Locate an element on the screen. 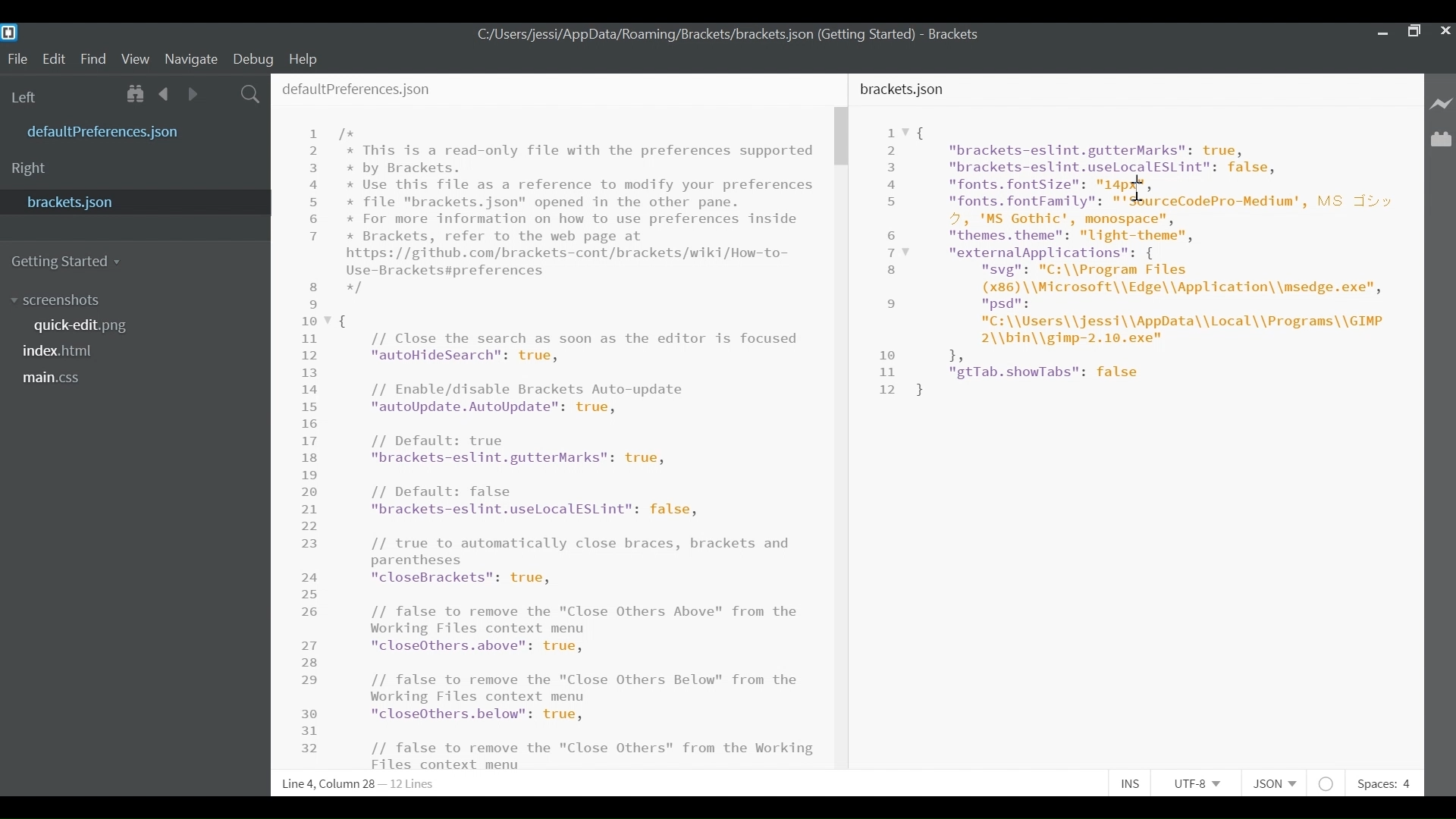 This screenshot has height=819, width=1456. No lintel Available for JSON is located at coordinates (1330, 783).